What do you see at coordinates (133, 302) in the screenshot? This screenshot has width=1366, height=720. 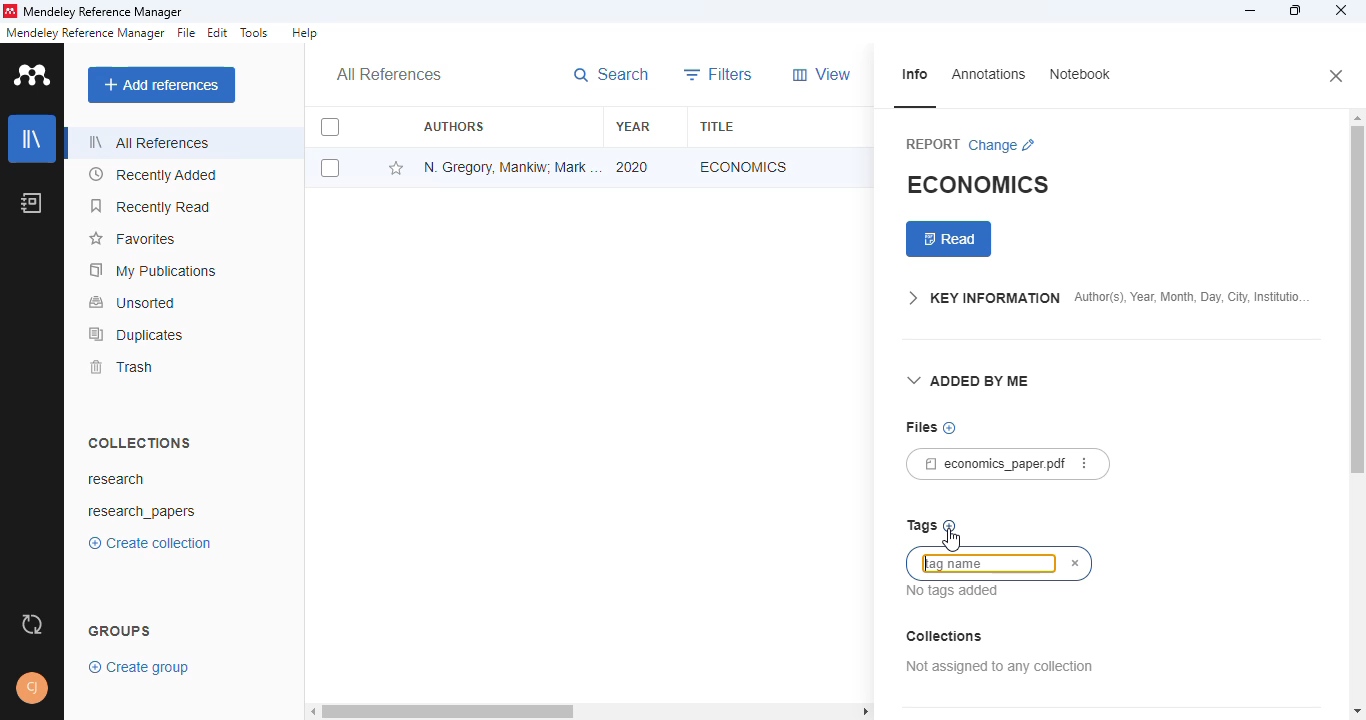 I see `unsorted` at bounding box center [133, 302].